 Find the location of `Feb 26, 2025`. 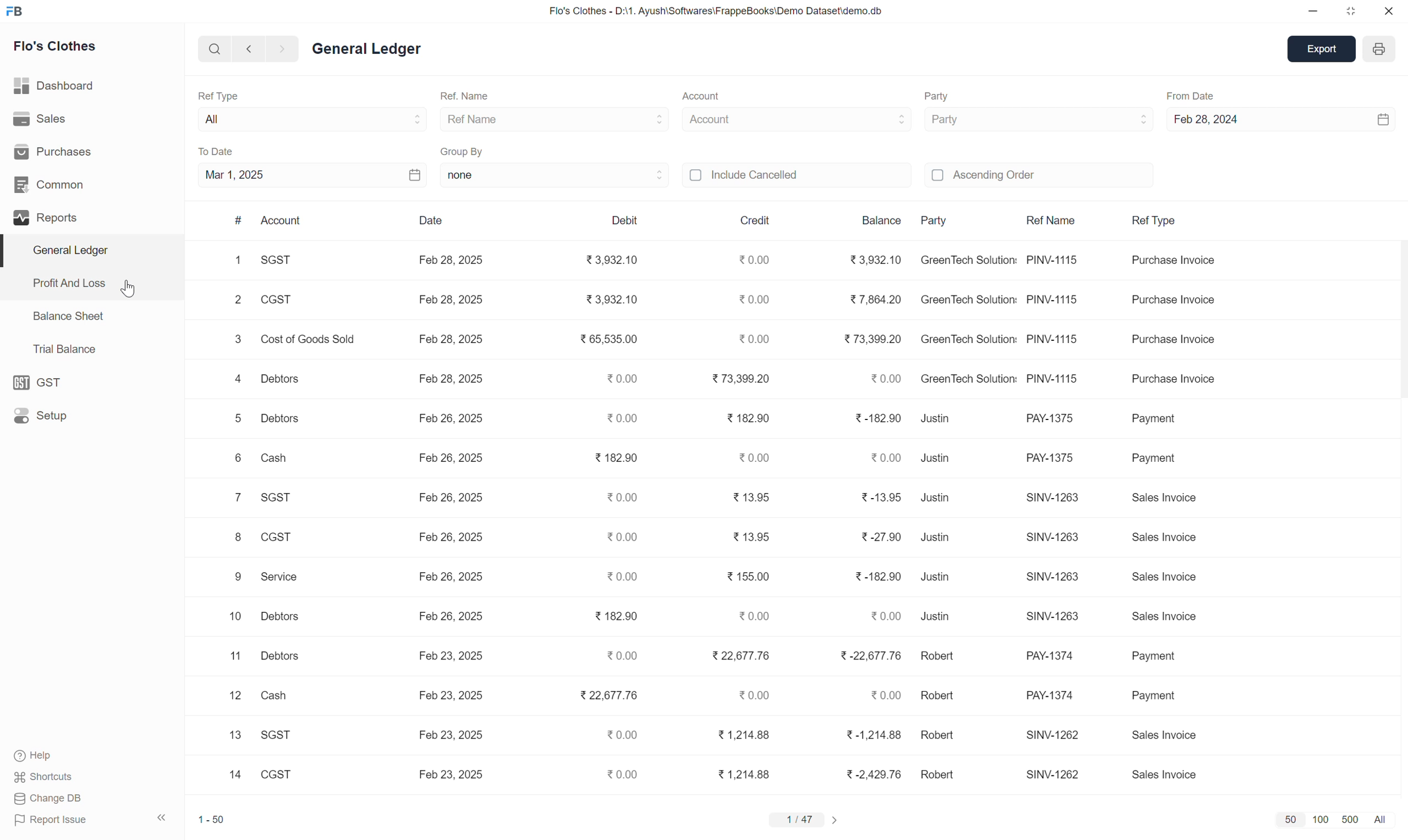

Feb 26, 2025 is located at coordinates (439, 419).